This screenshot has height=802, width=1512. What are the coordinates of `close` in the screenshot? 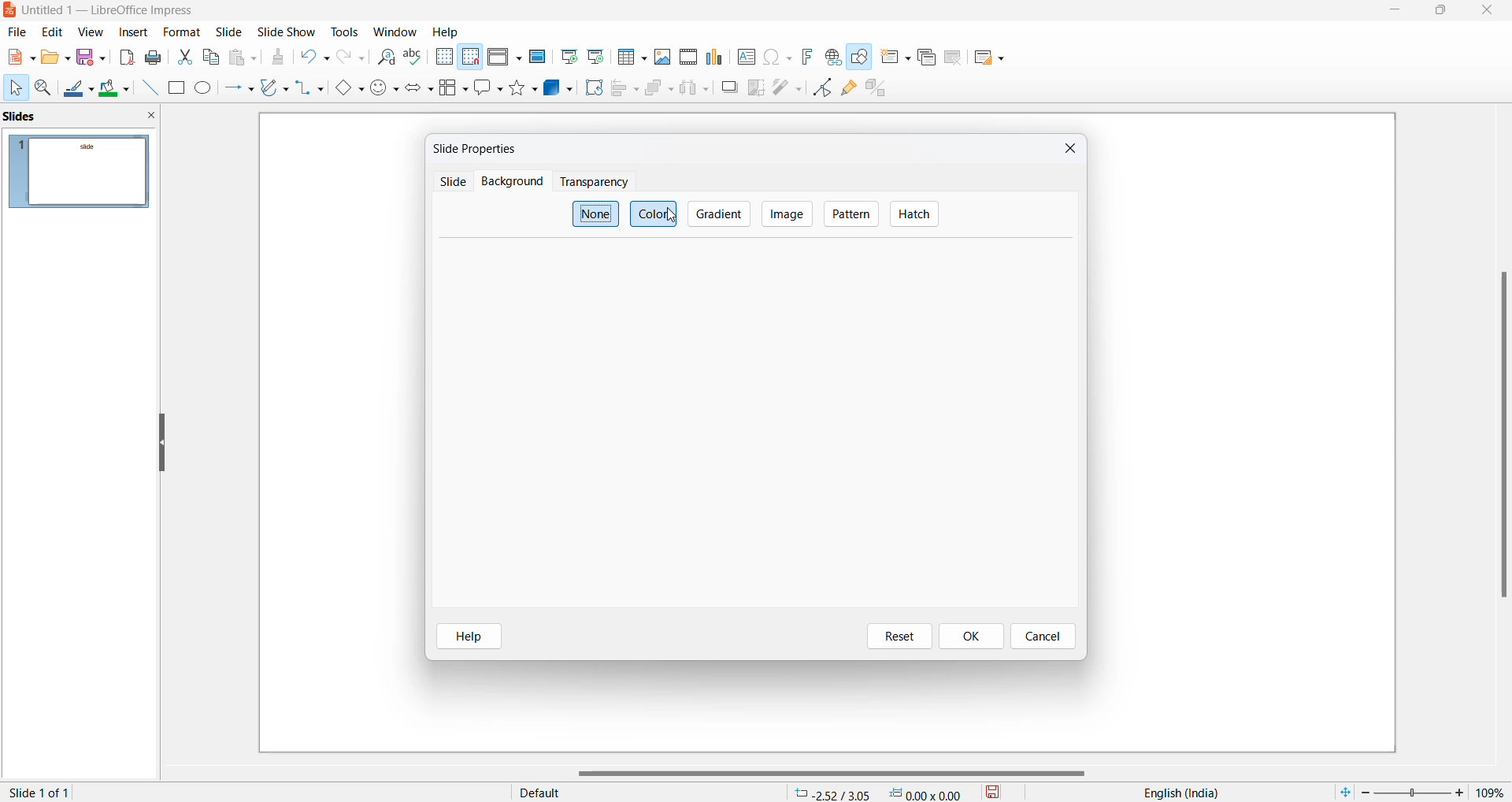 It's located at (1490, 11).